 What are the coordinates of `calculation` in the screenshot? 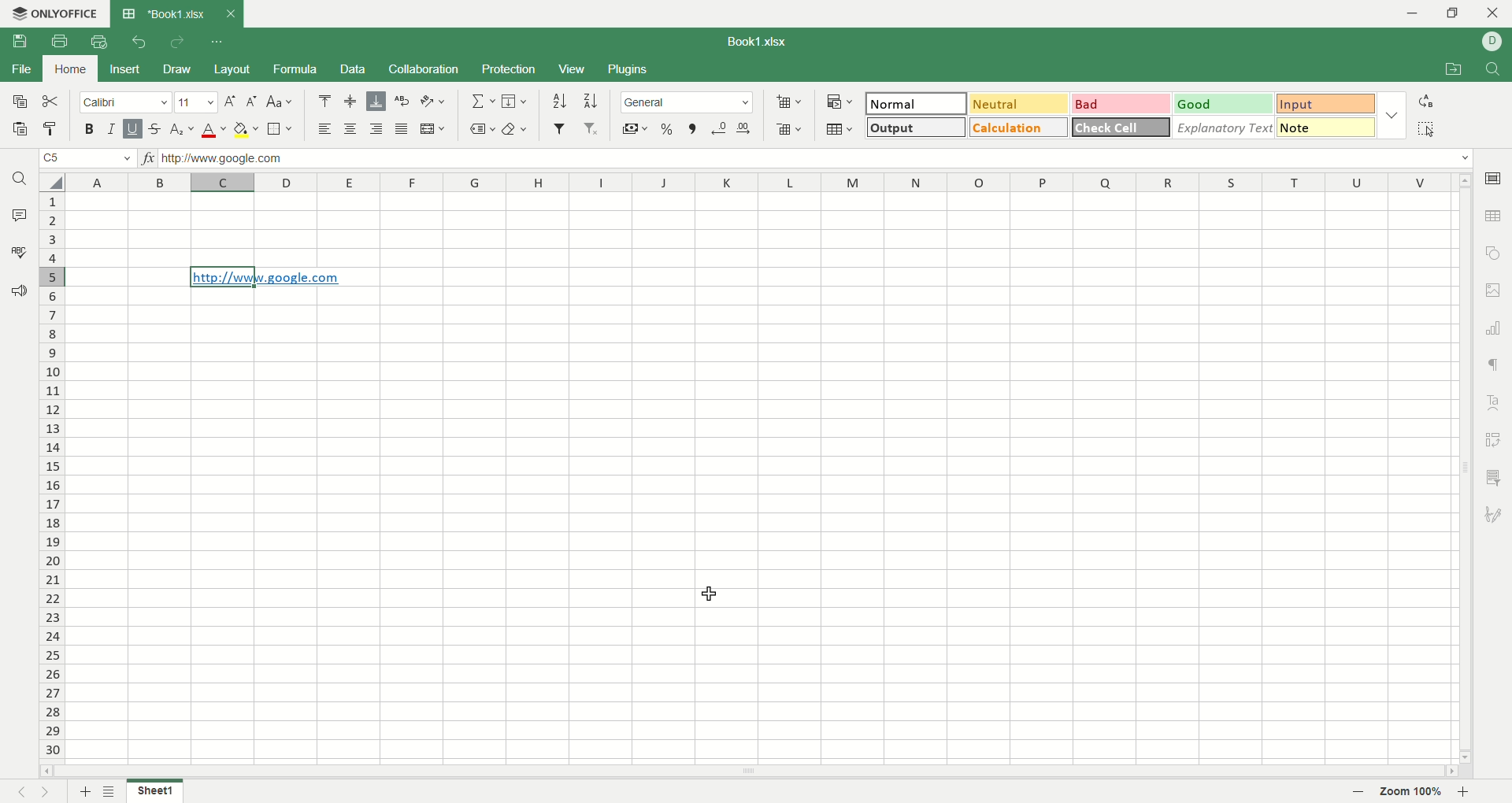 It's located at (1019, 127).